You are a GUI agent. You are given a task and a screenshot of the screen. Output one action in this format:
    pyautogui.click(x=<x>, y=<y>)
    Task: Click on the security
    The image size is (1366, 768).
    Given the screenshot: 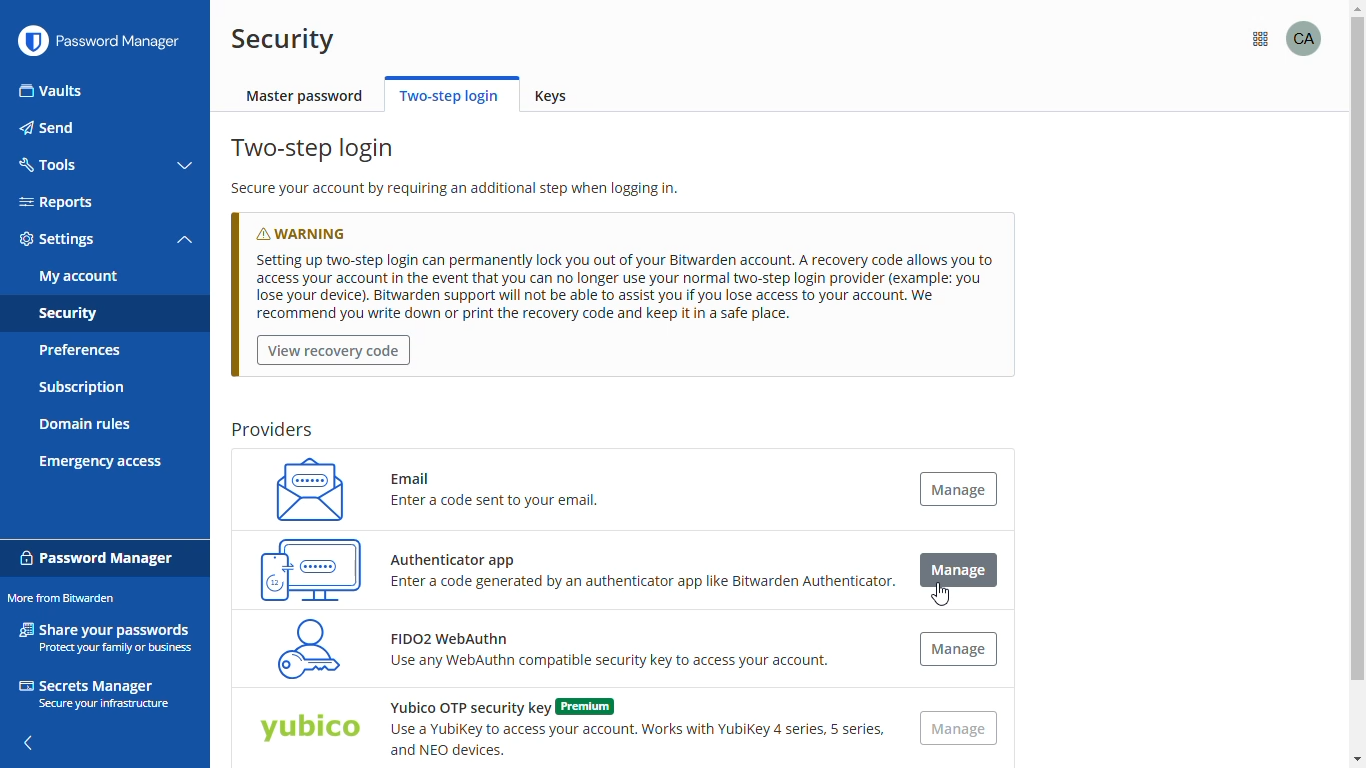 What is the action you would take?
    pyautogui.click(x=67, y=315)
    